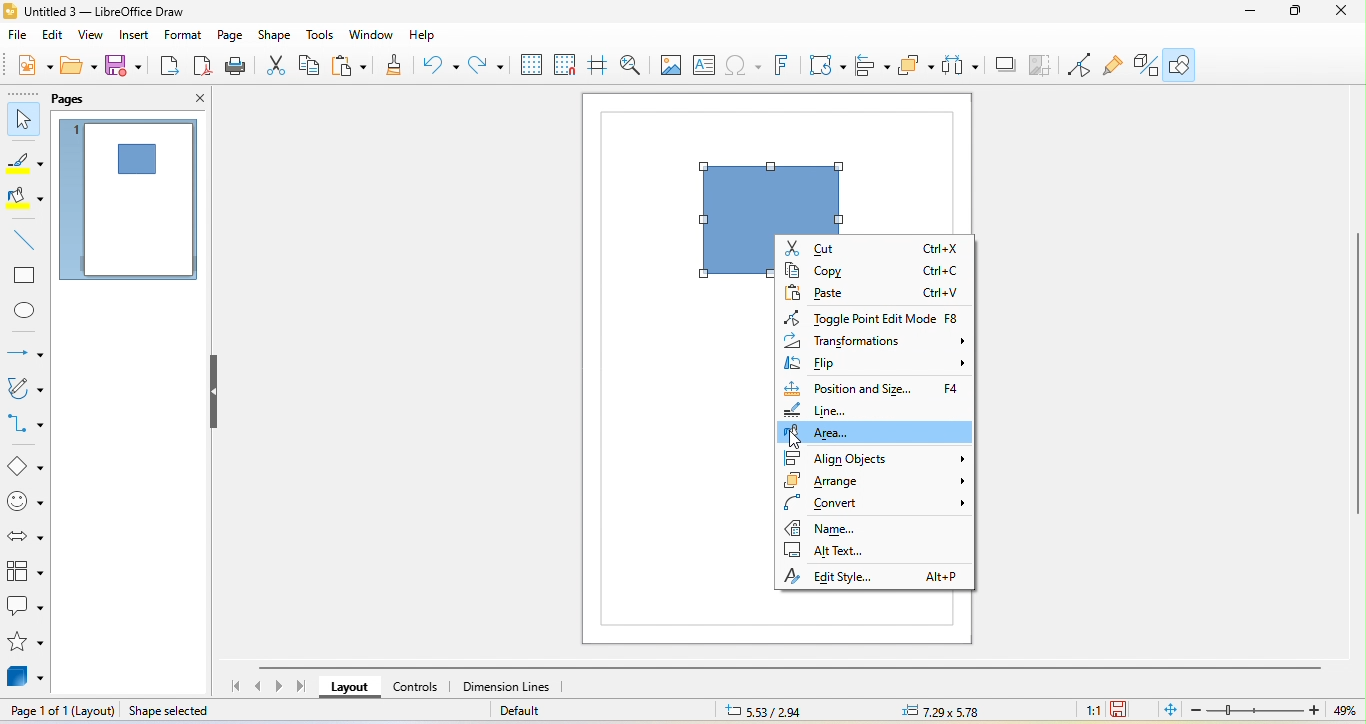  What do you see at coordinates (26, 312) in the screenshot?
I see `ellipse` at bounding box center [26, 312].